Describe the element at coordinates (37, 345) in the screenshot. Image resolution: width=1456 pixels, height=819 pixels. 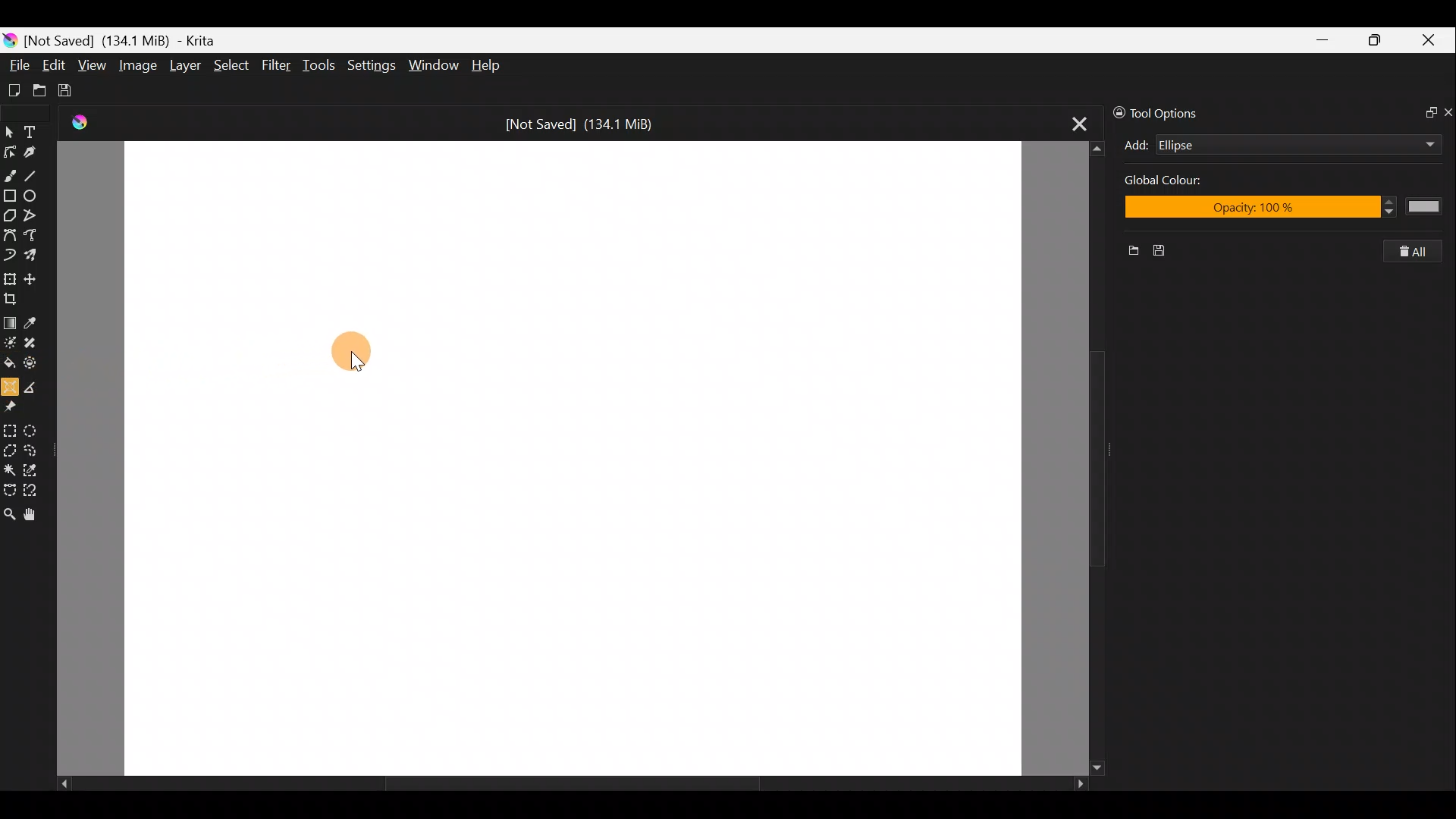
I see `Smart patch tool` at that location.